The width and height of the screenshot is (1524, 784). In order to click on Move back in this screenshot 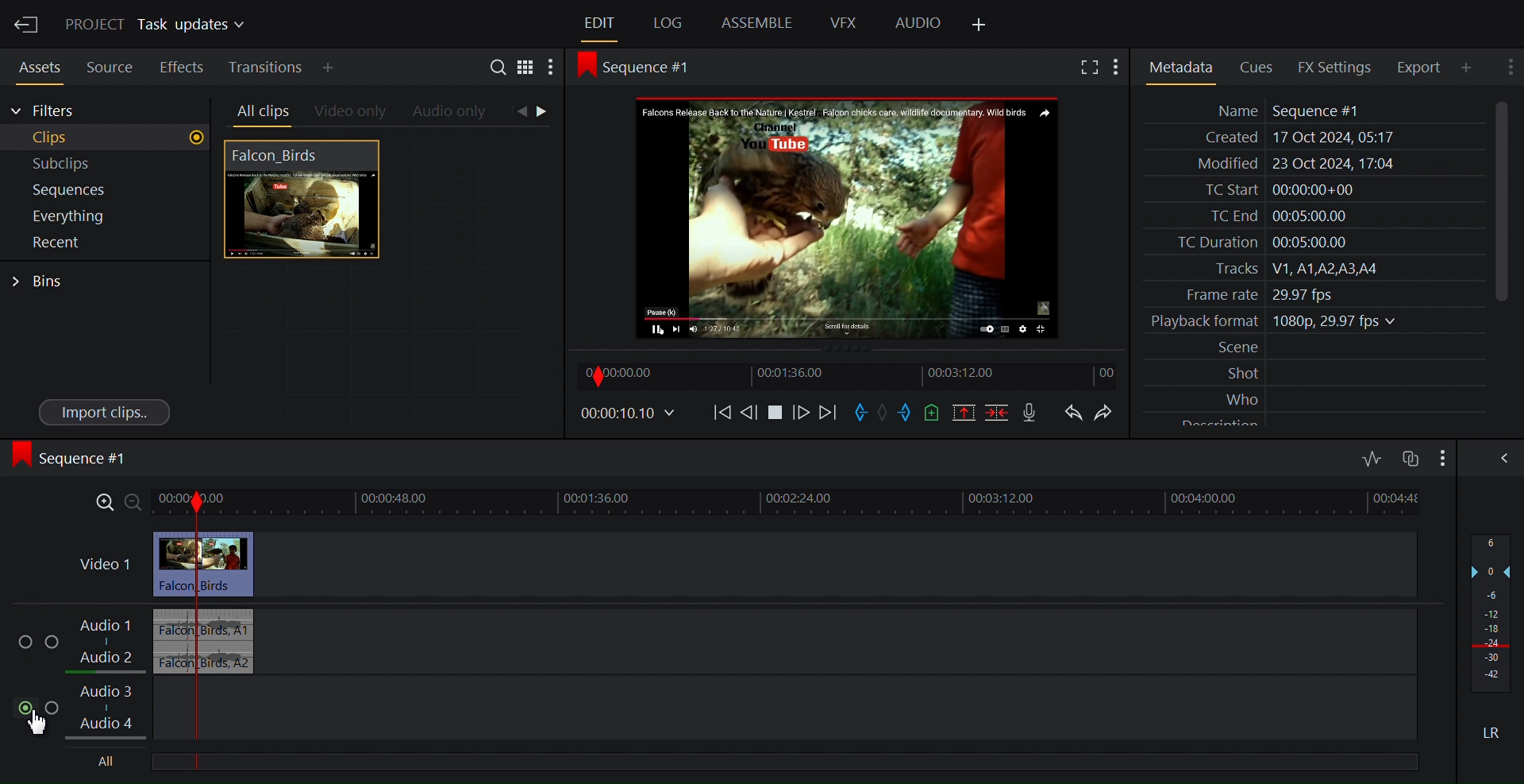, I will do `click(722, 415)`.